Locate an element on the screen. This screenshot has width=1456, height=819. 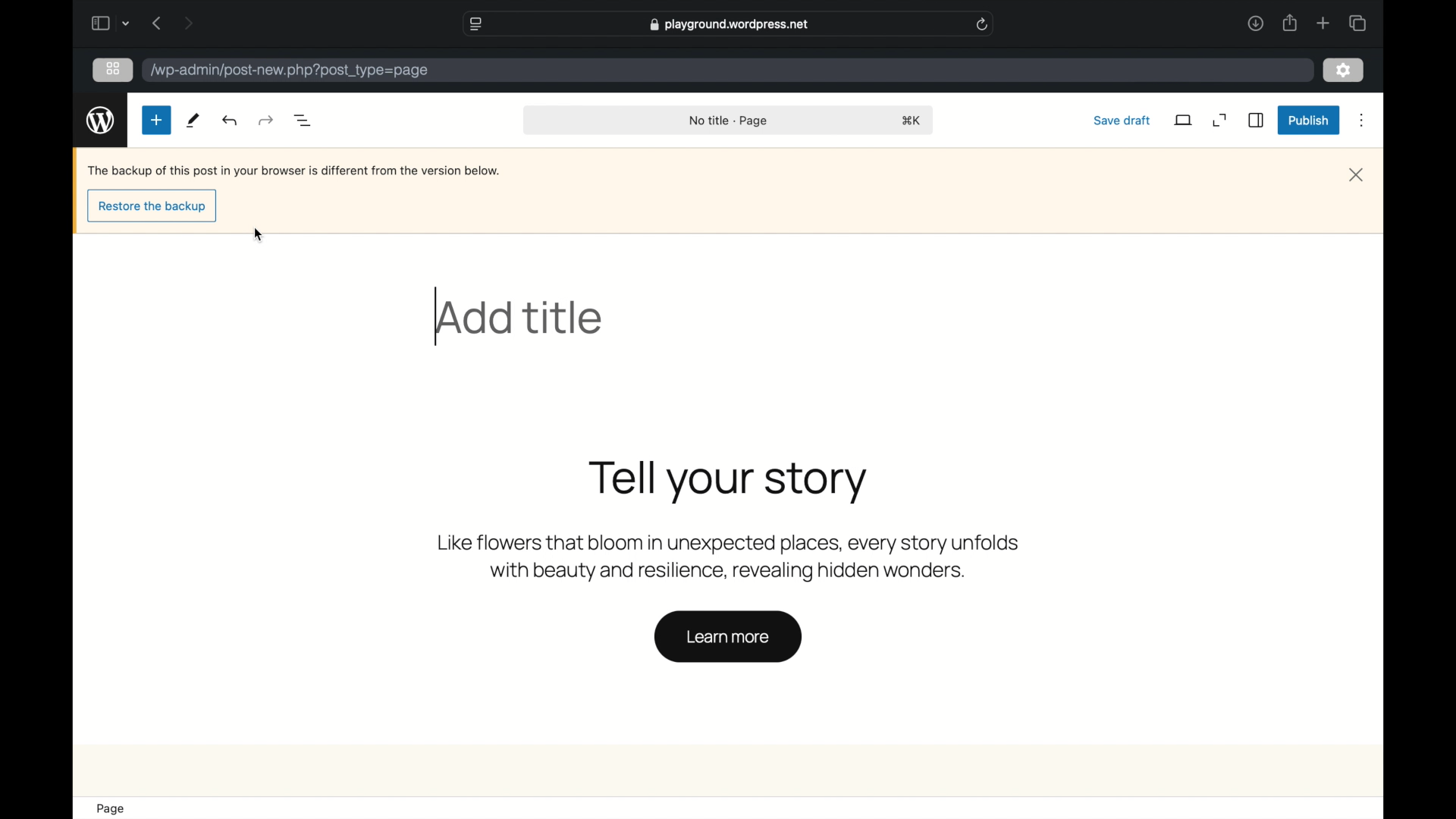
close is located at coordinates (1359, 176).